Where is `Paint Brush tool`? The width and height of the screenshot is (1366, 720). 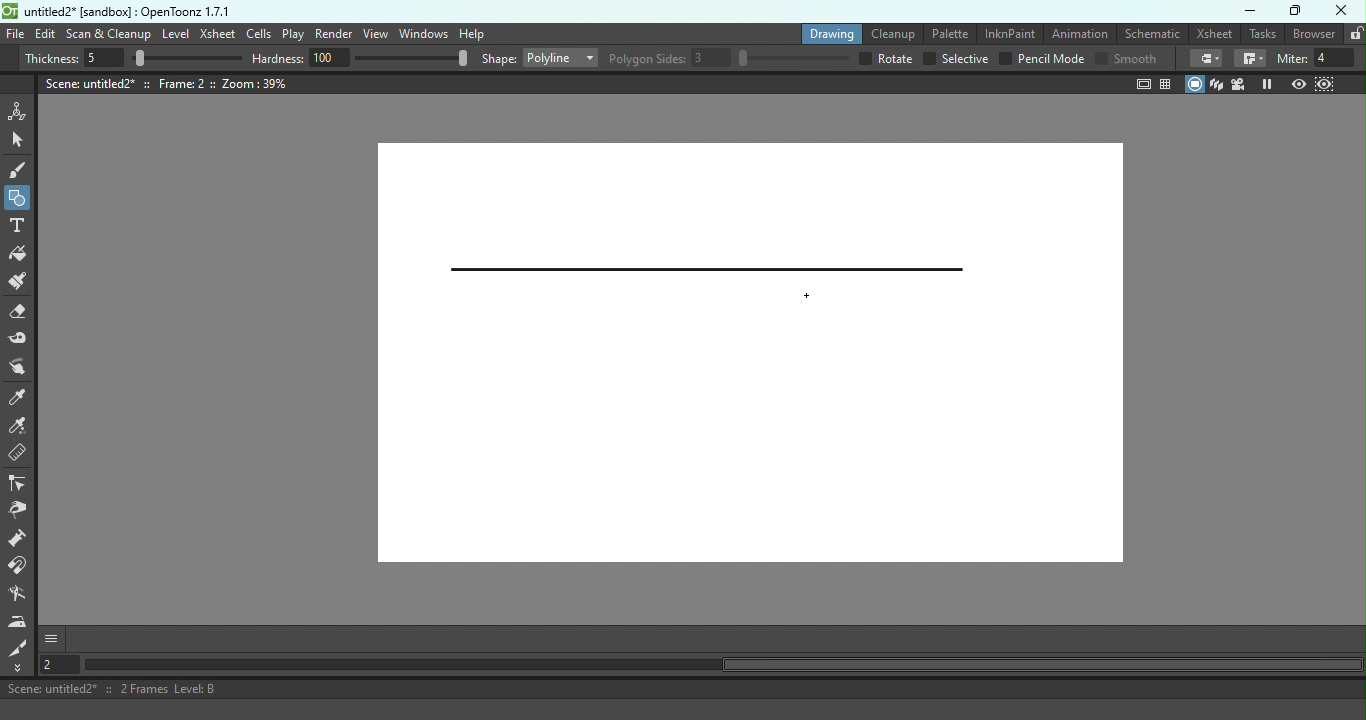
Paint Brush tool is located at coordinates (24, 283).